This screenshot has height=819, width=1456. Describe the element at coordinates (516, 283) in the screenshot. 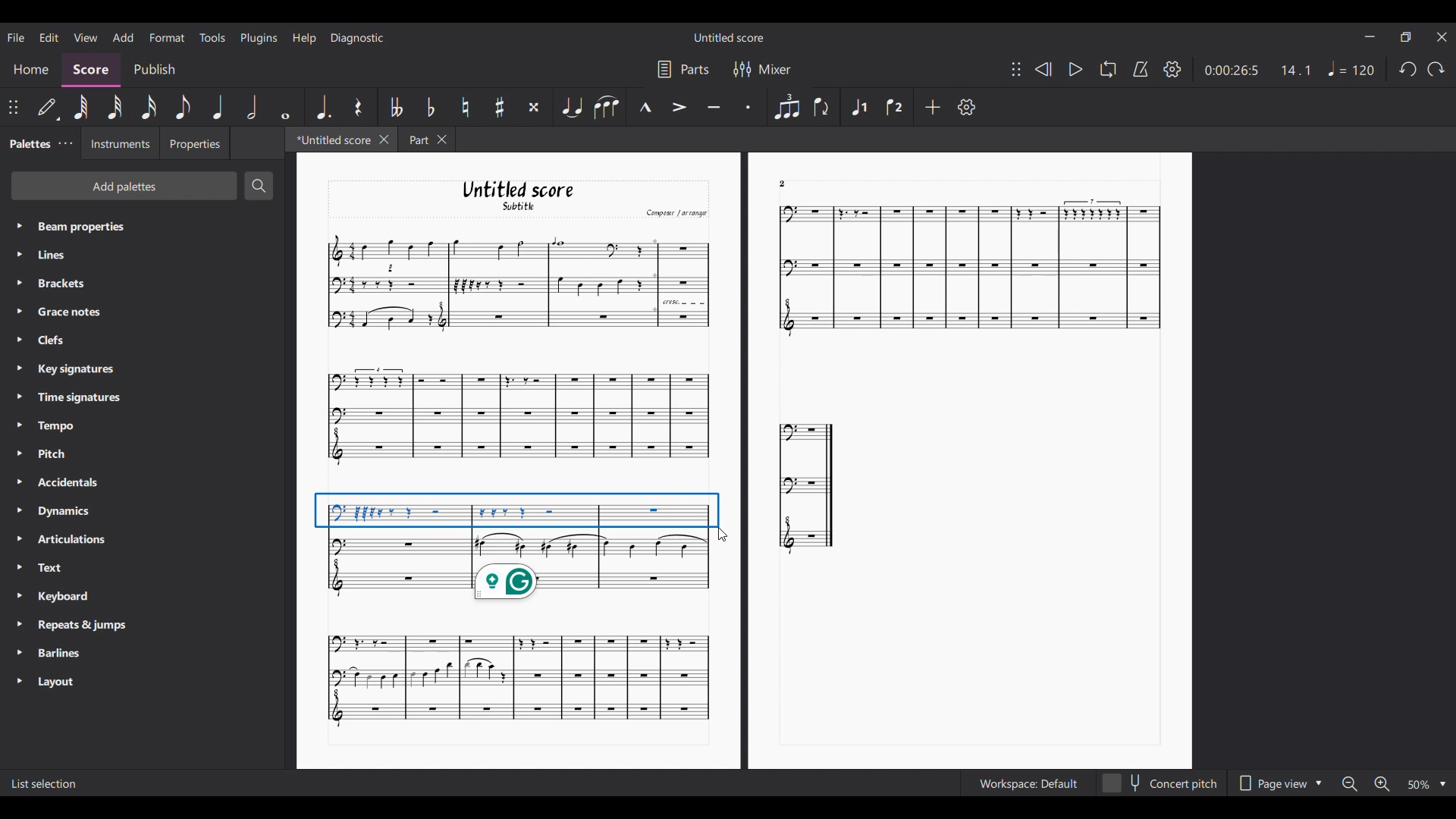

I see `Graph` at that location.